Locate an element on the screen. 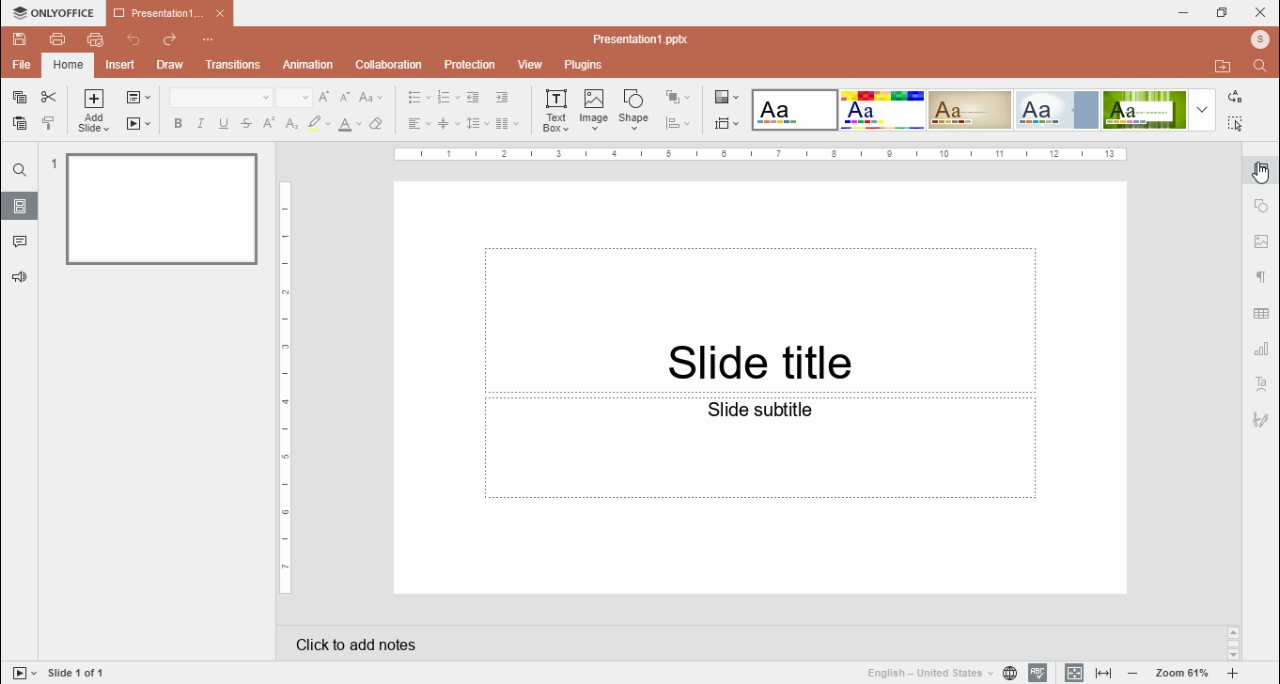 The image size is (1280, 684). arrange shape is located at coordinates (676, 97).